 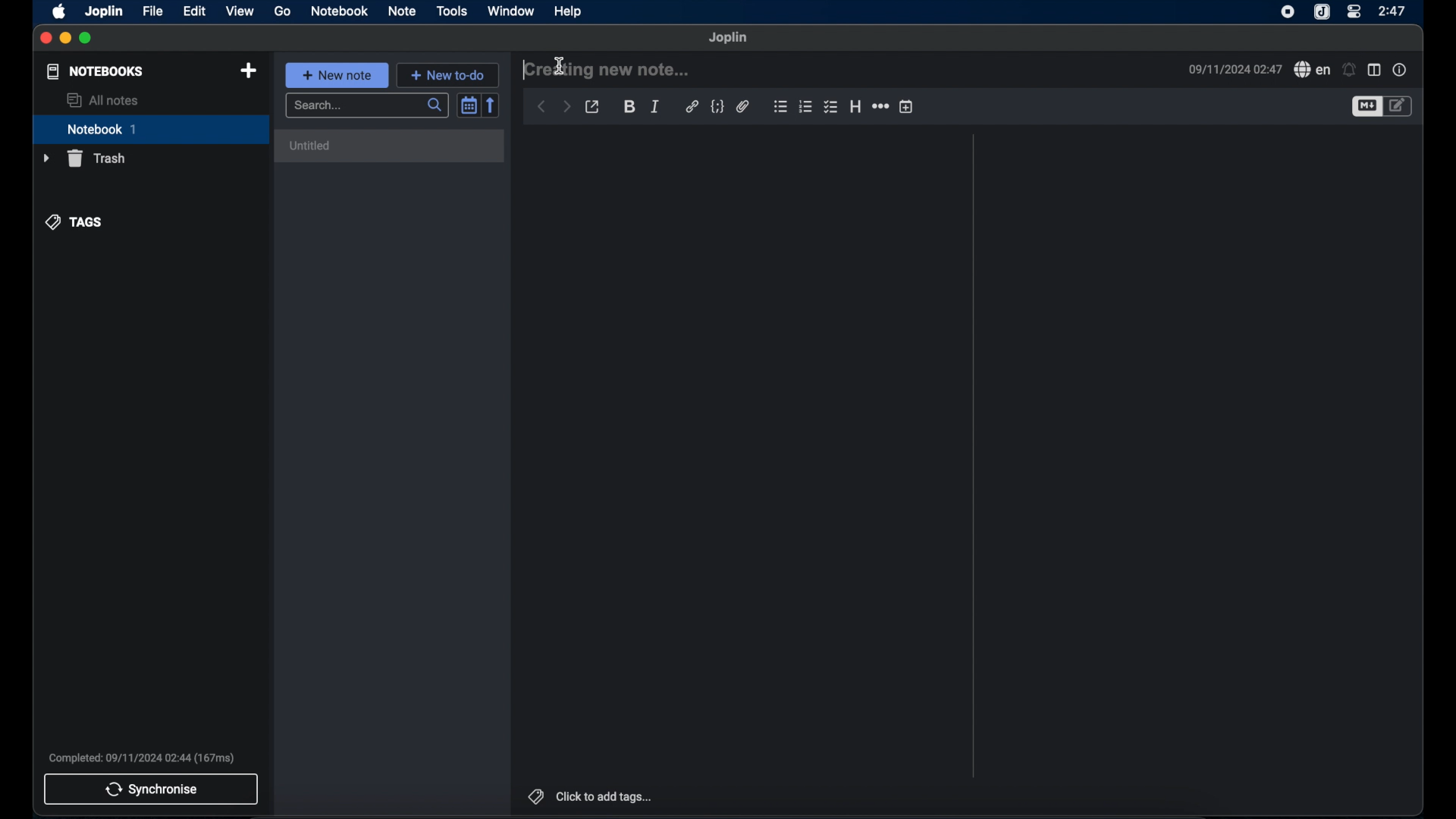 What do you see at coordinates (830, 108) in the screenshot?
I see `checklist` at bounding box center [830, 108].